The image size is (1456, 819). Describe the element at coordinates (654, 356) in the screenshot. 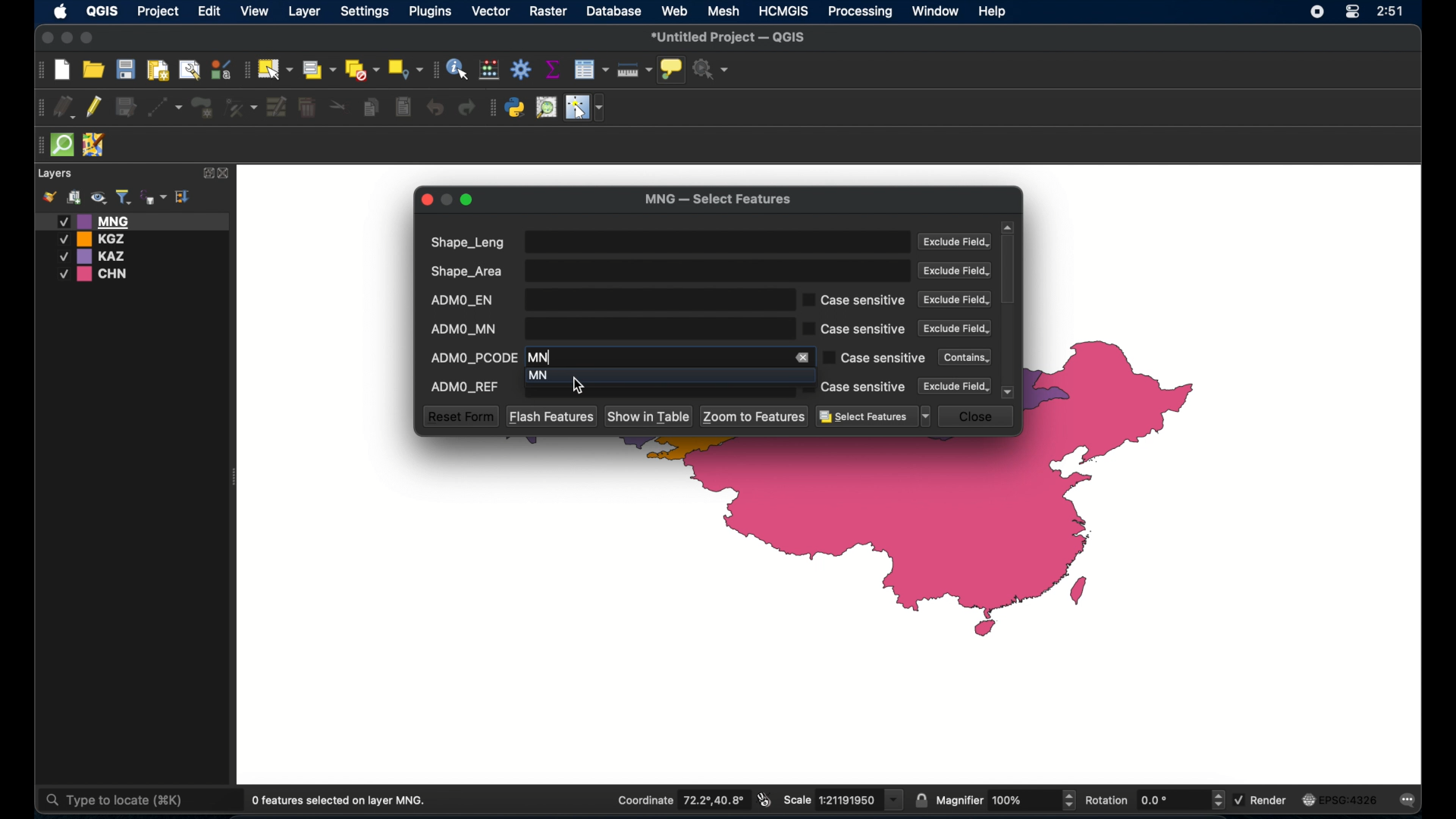

I see `MN PCODE` at that location.